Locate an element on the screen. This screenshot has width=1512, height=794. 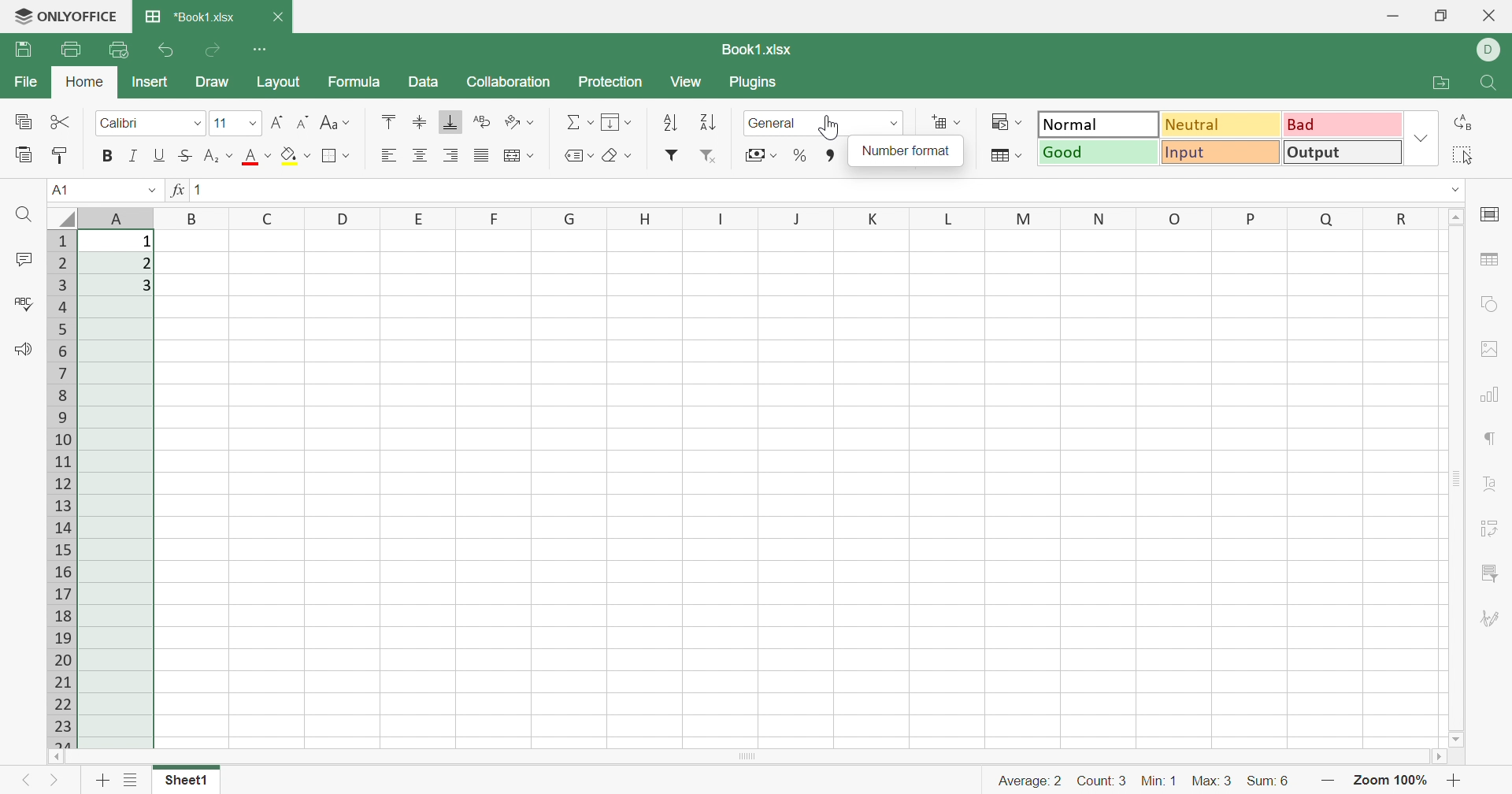
Data is located at coordinates (423, 83).